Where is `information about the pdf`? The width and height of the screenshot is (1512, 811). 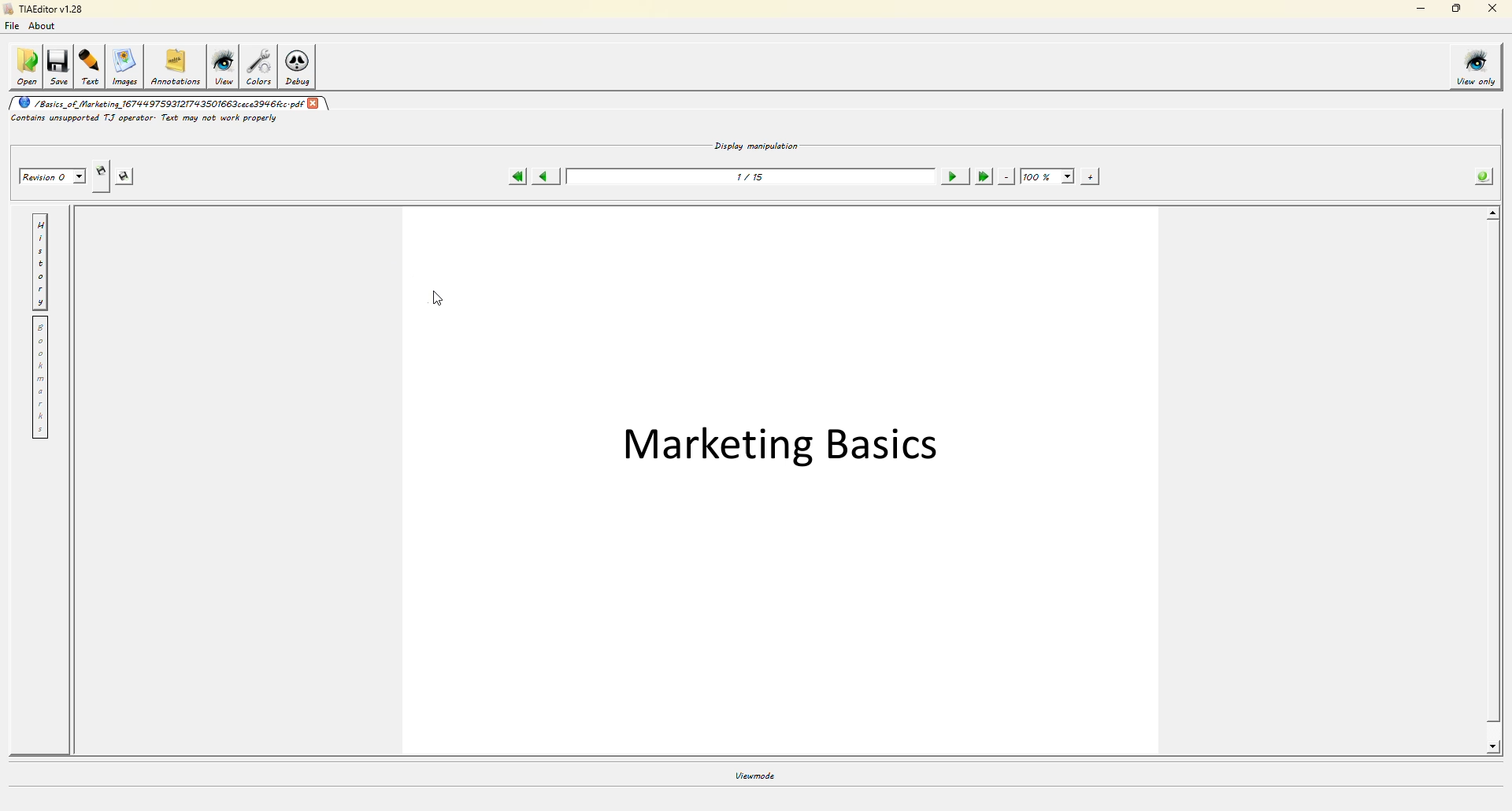 information about the pdf is located at coordinates (1484, 179).